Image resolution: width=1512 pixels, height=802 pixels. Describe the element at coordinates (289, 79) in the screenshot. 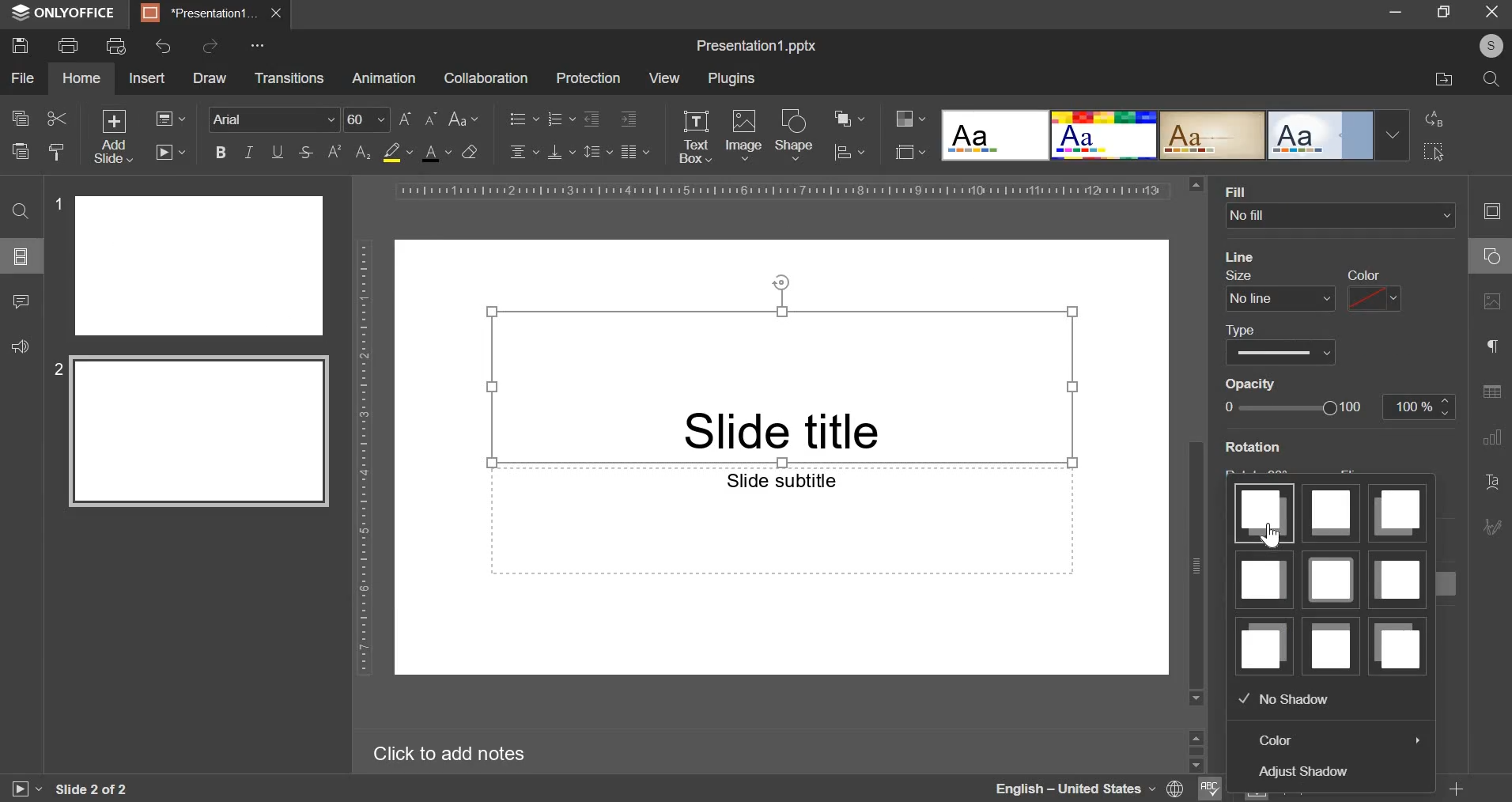

I see `transitions` at that location.